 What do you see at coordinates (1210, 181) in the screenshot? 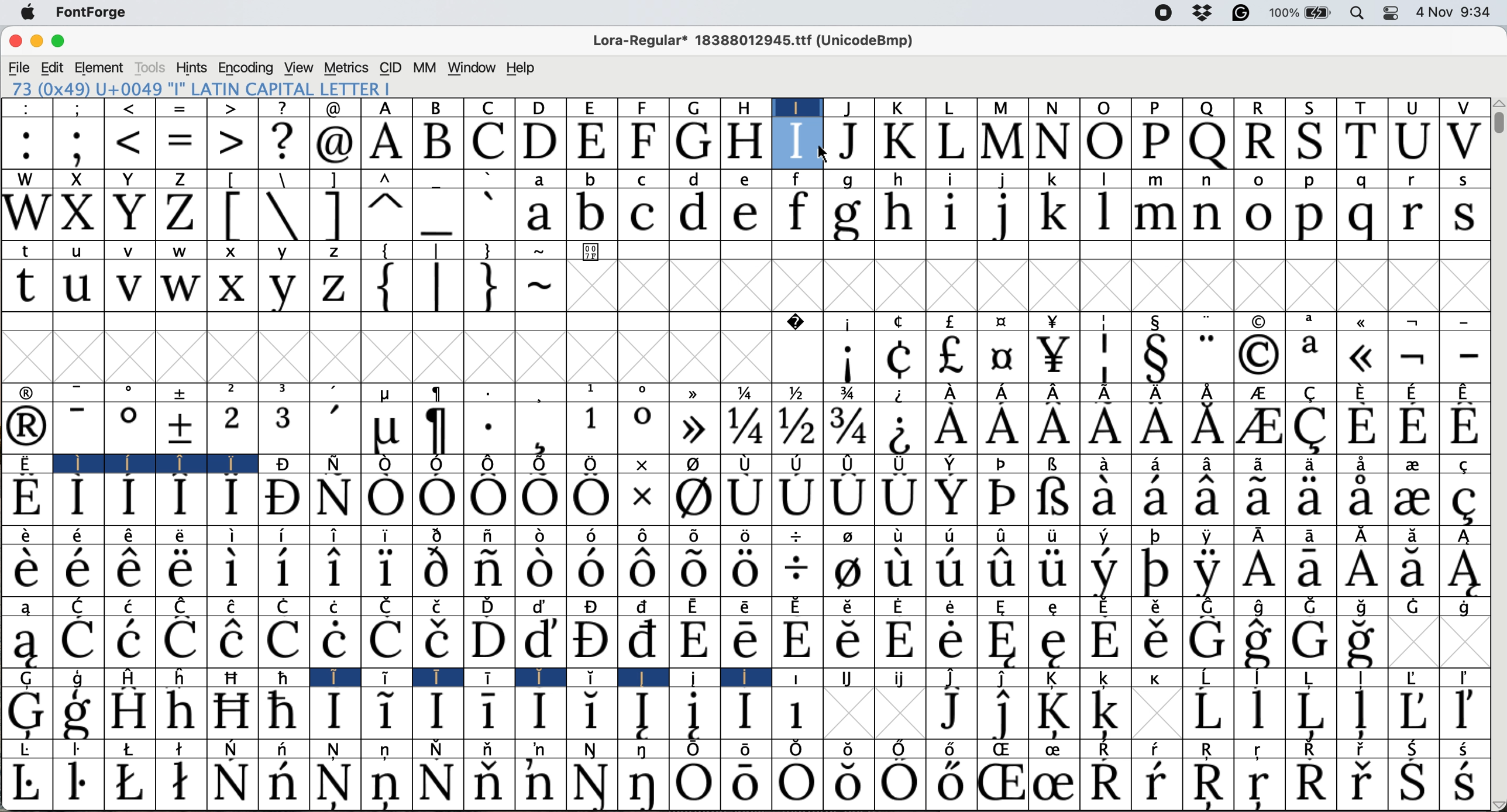
I see `n` at bounding box center [1210, 181].